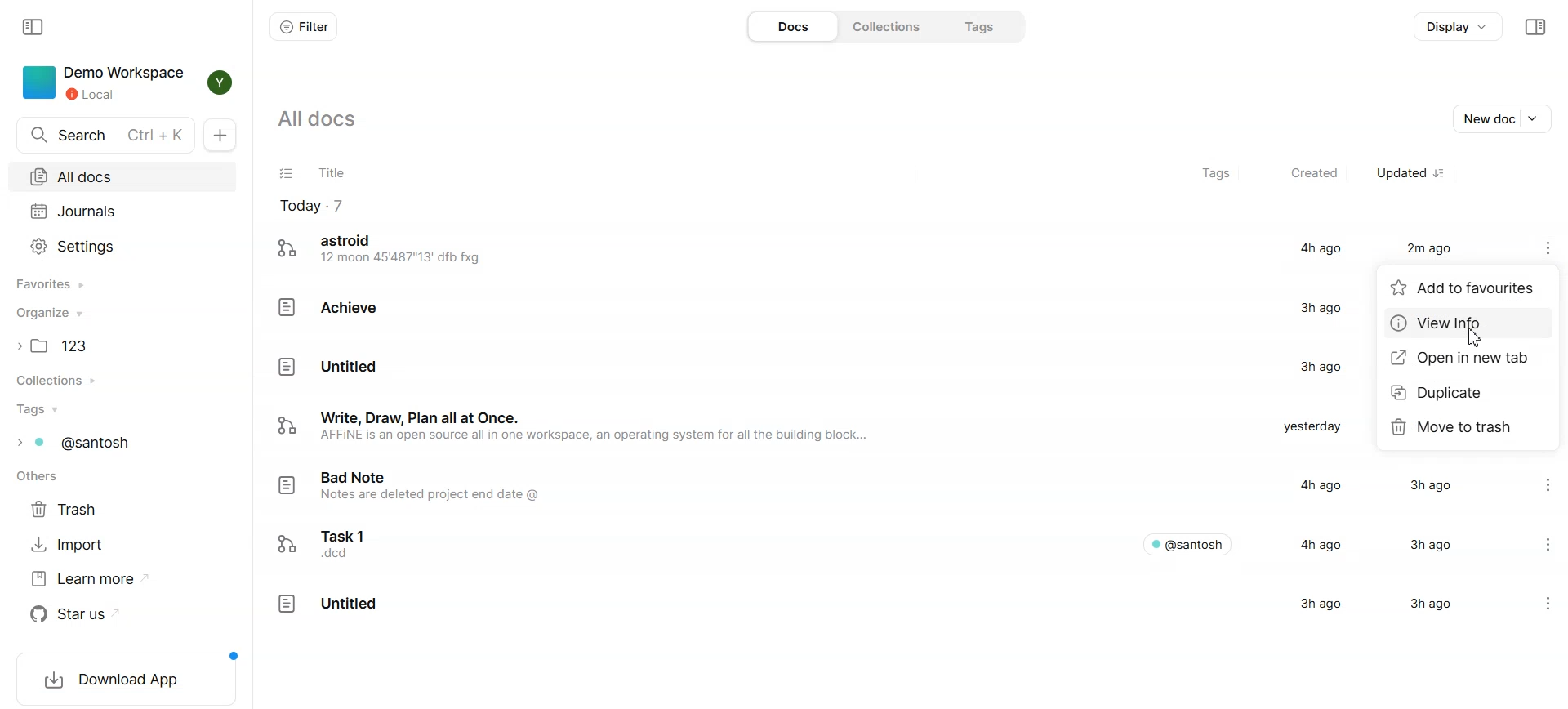 The height and width of the screenshot is (709, 1568). I want to click on Move to Trash, so click(1467, 426).